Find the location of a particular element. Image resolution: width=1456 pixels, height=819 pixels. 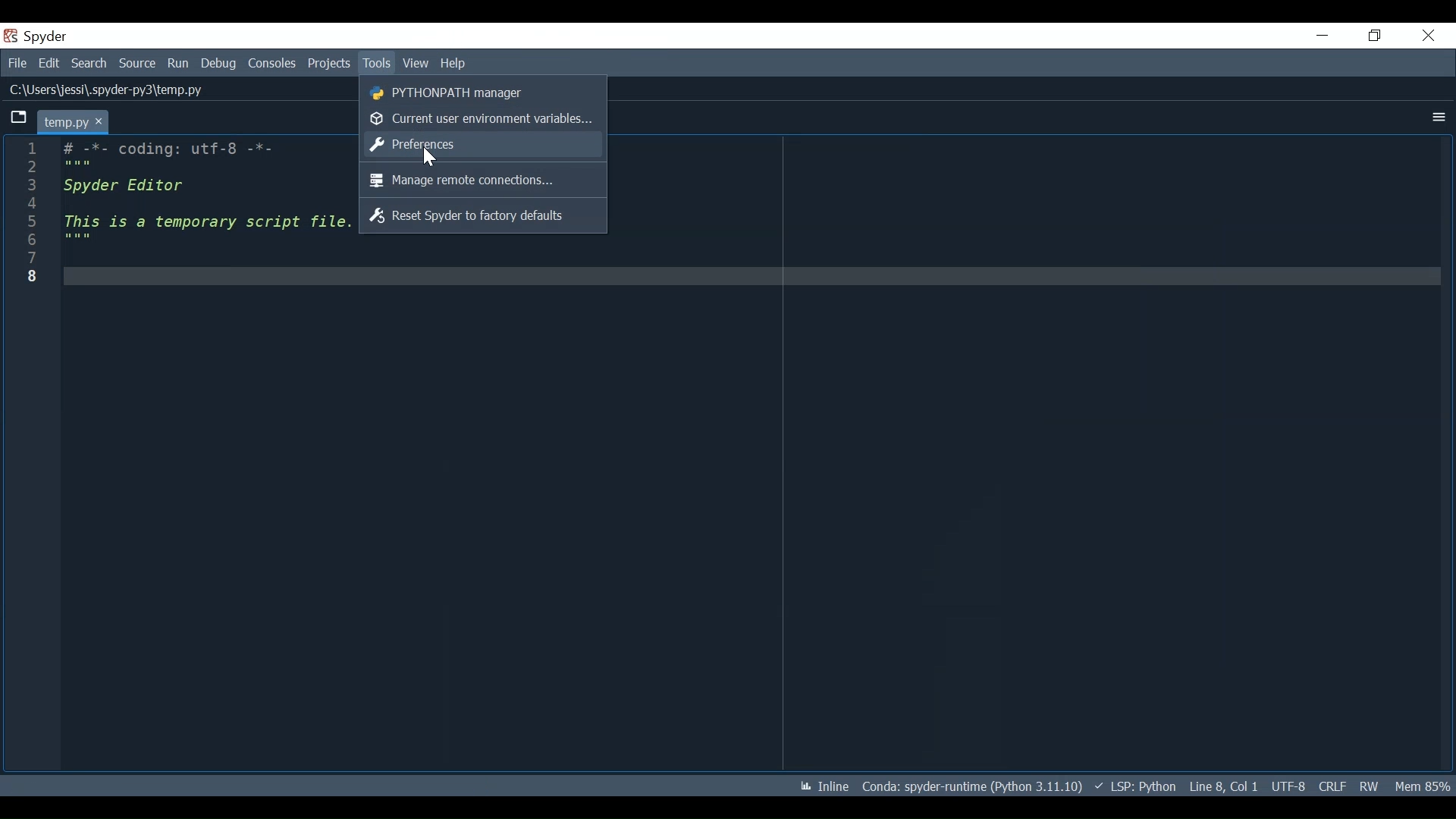

Projects is located at coordinates (328, 64).